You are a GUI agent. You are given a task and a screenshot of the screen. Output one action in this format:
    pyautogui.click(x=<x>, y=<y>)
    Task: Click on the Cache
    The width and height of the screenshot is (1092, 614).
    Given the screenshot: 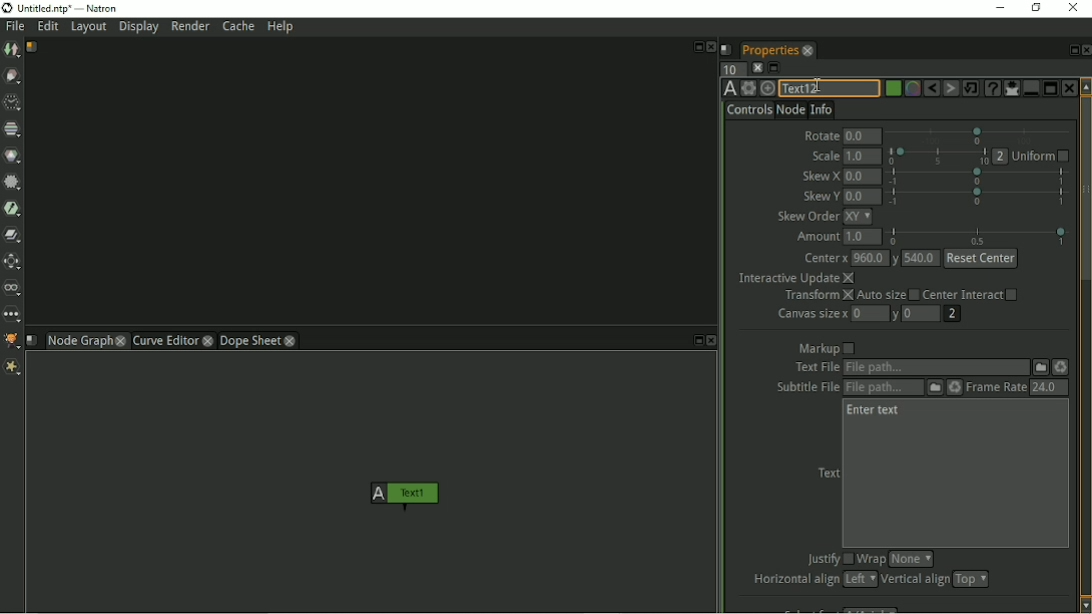 What is the action you would take?
    pyautogui.click(x=238, y=26)
    